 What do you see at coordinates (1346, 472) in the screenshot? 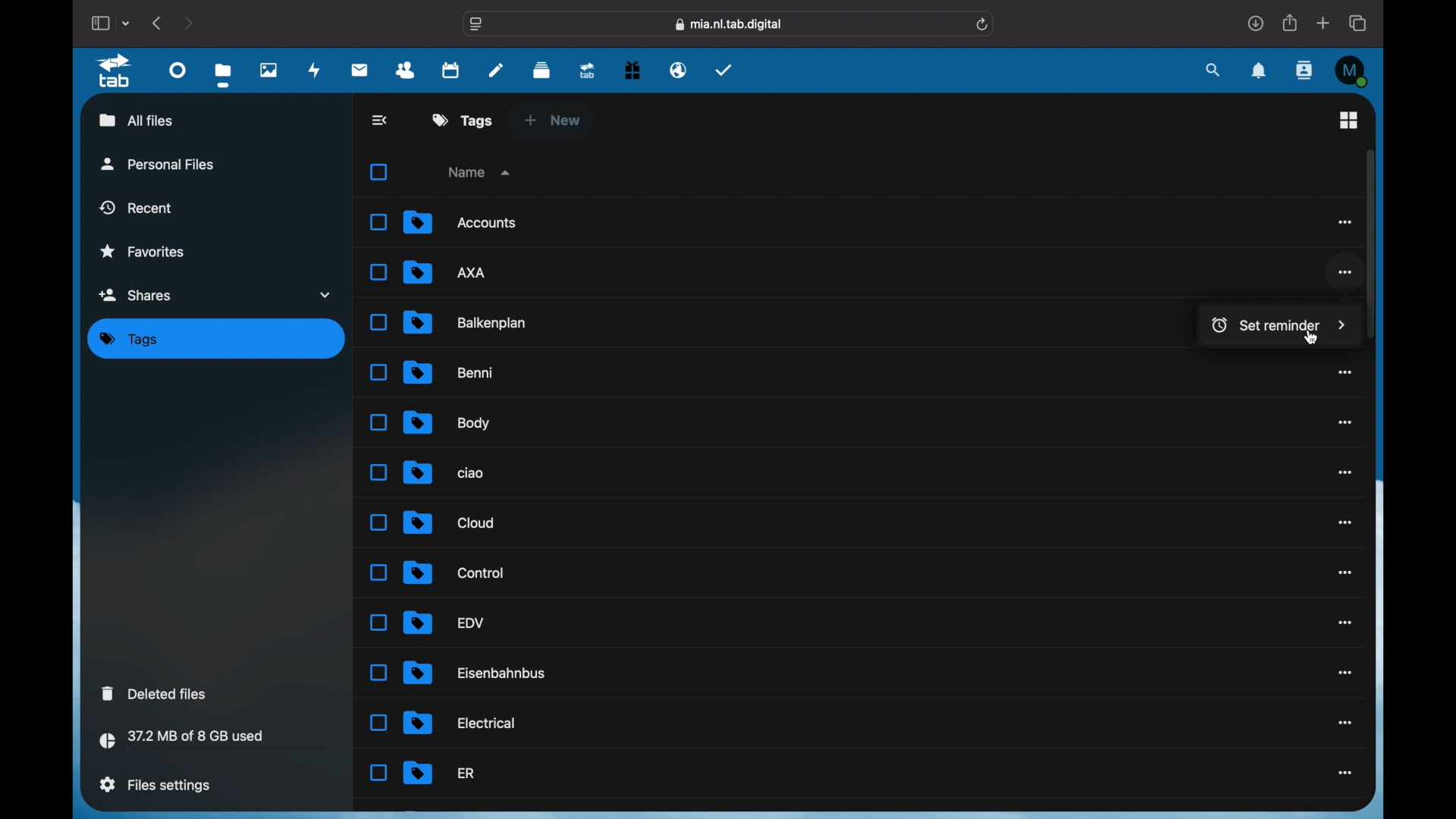
I see `more options` at bounding box center [1346, 472].